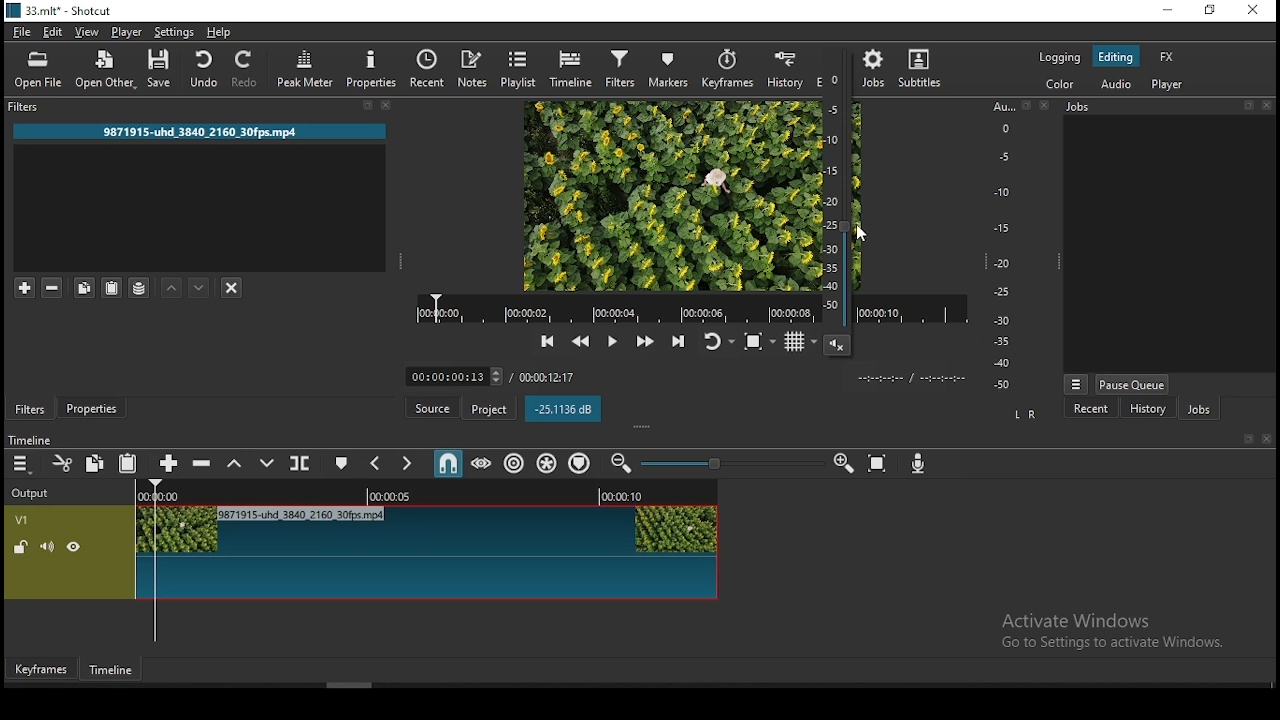 The image size is (1280, 720). What do you see at coordinates (27, 409) in the screenshot?
I see `filters` at bounding box center [27, 409].